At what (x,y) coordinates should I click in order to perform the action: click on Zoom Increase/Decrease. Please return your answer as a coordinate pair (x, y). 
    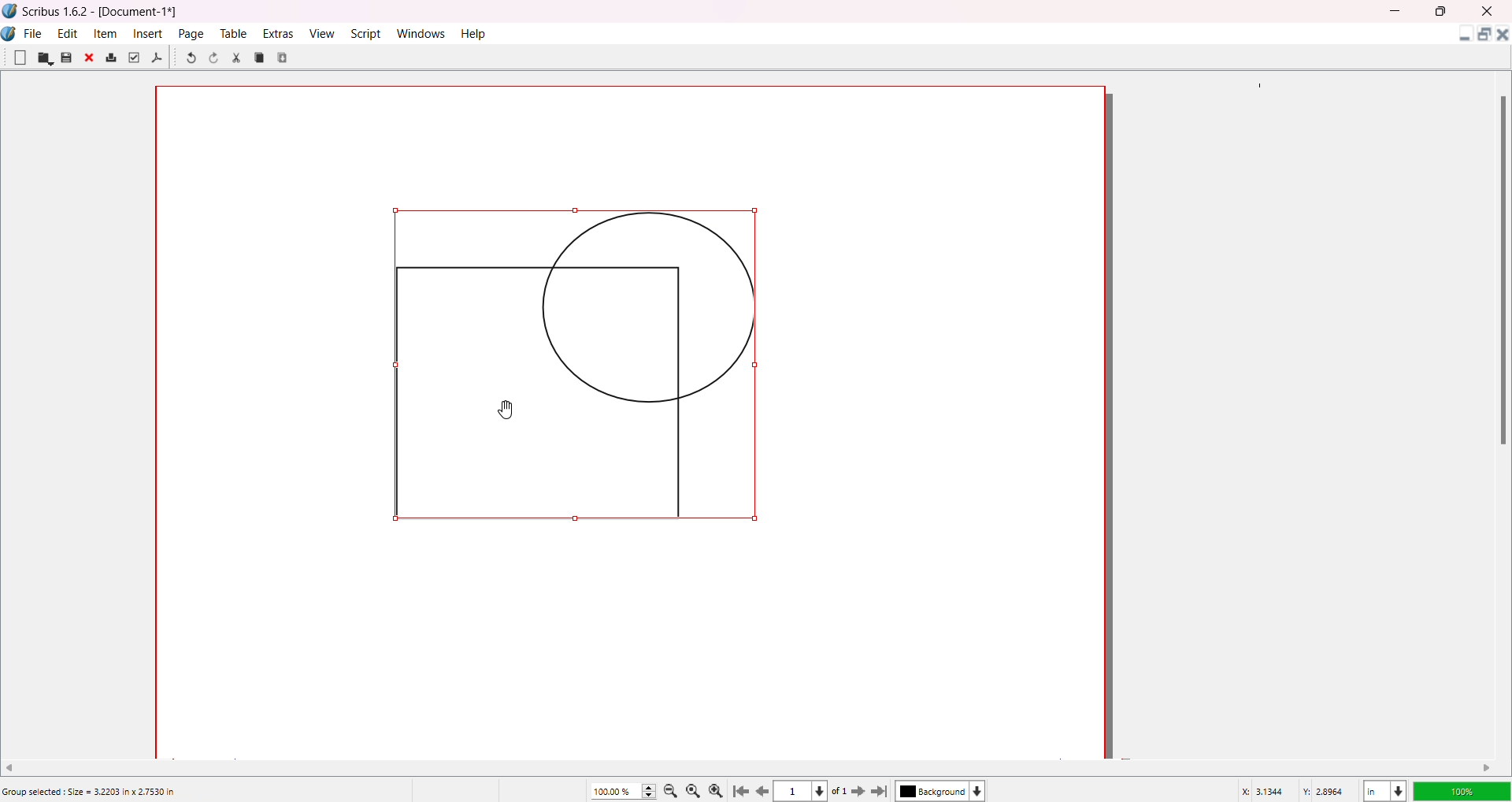
    Looking at the image, I should click on (651, 789).